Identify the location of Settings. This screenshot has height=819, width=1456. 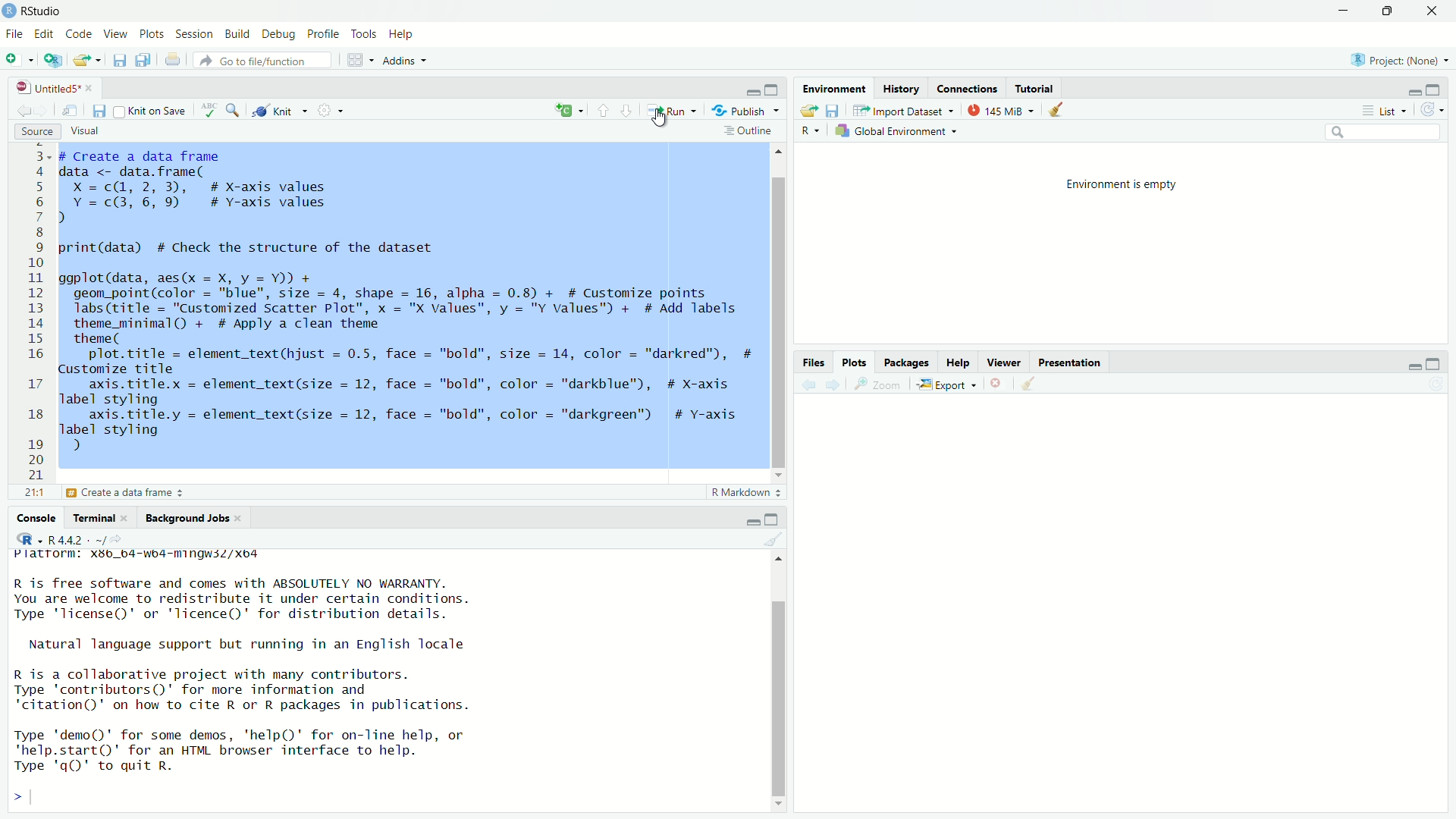
(332, 111).